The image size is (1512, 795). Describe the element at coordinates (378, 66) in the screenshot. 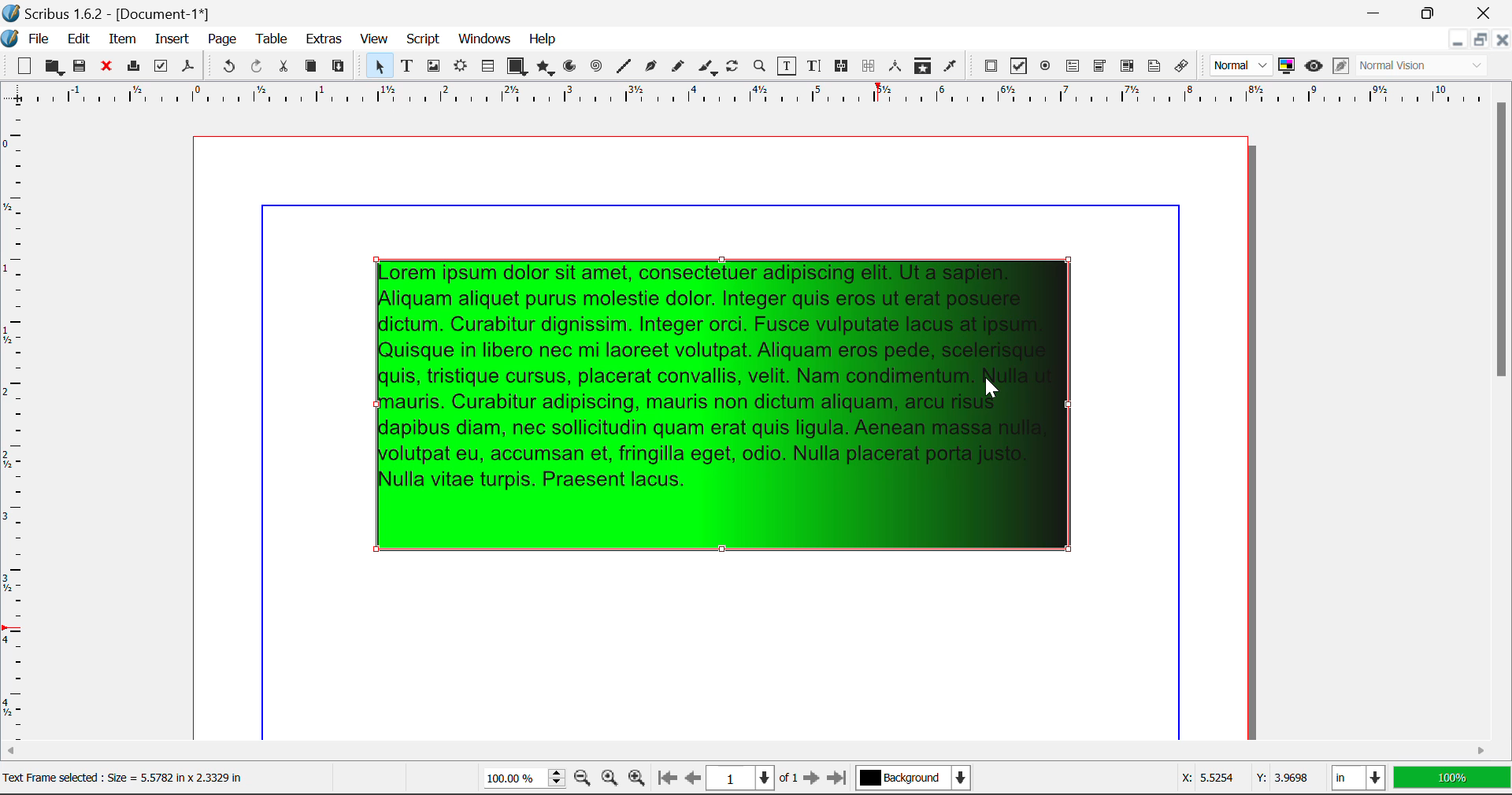

I see `Select` at that location.